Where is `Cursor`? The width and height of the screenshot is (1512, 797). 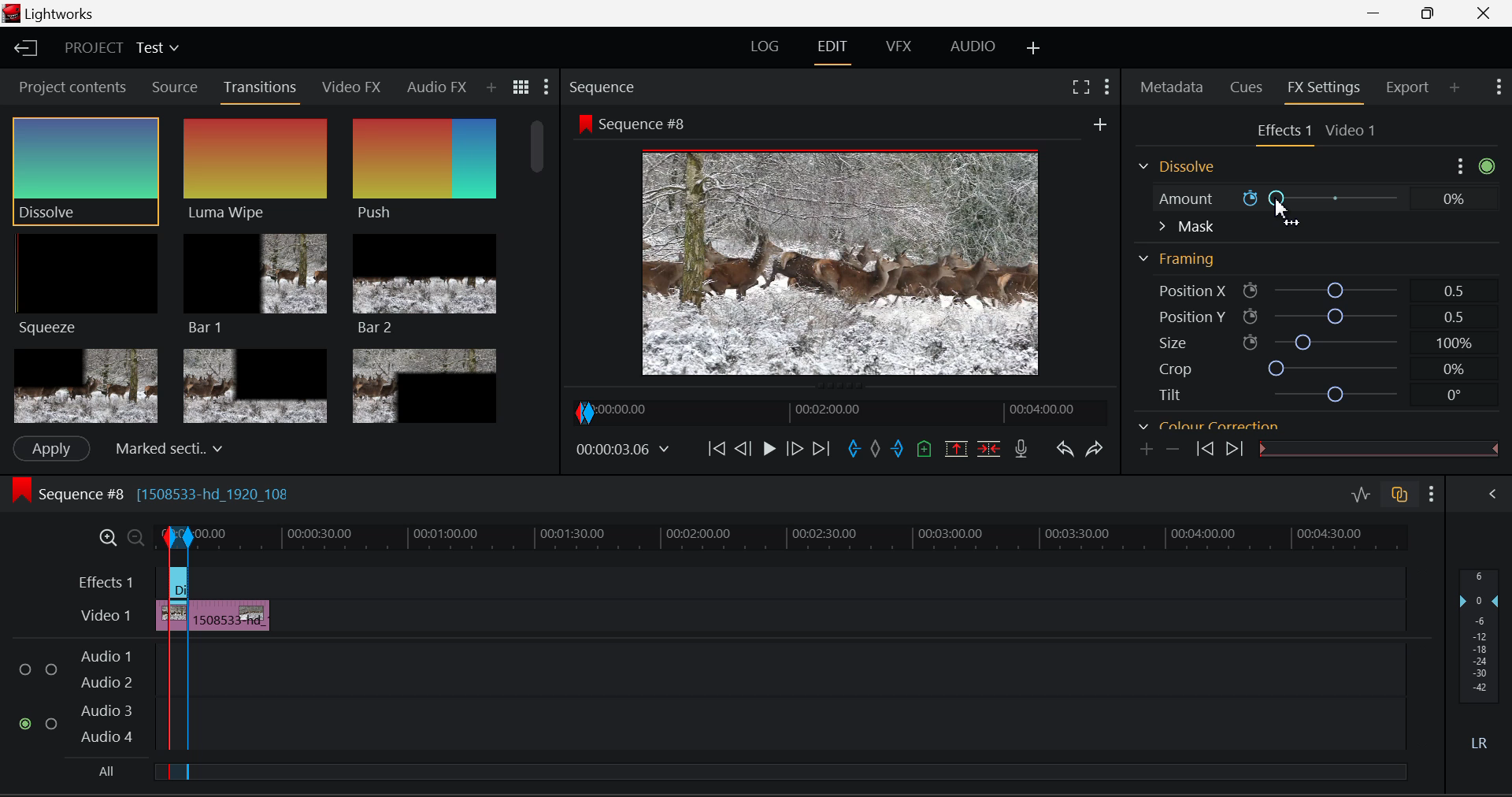
Cursor is located at coordinates (1284, 215).